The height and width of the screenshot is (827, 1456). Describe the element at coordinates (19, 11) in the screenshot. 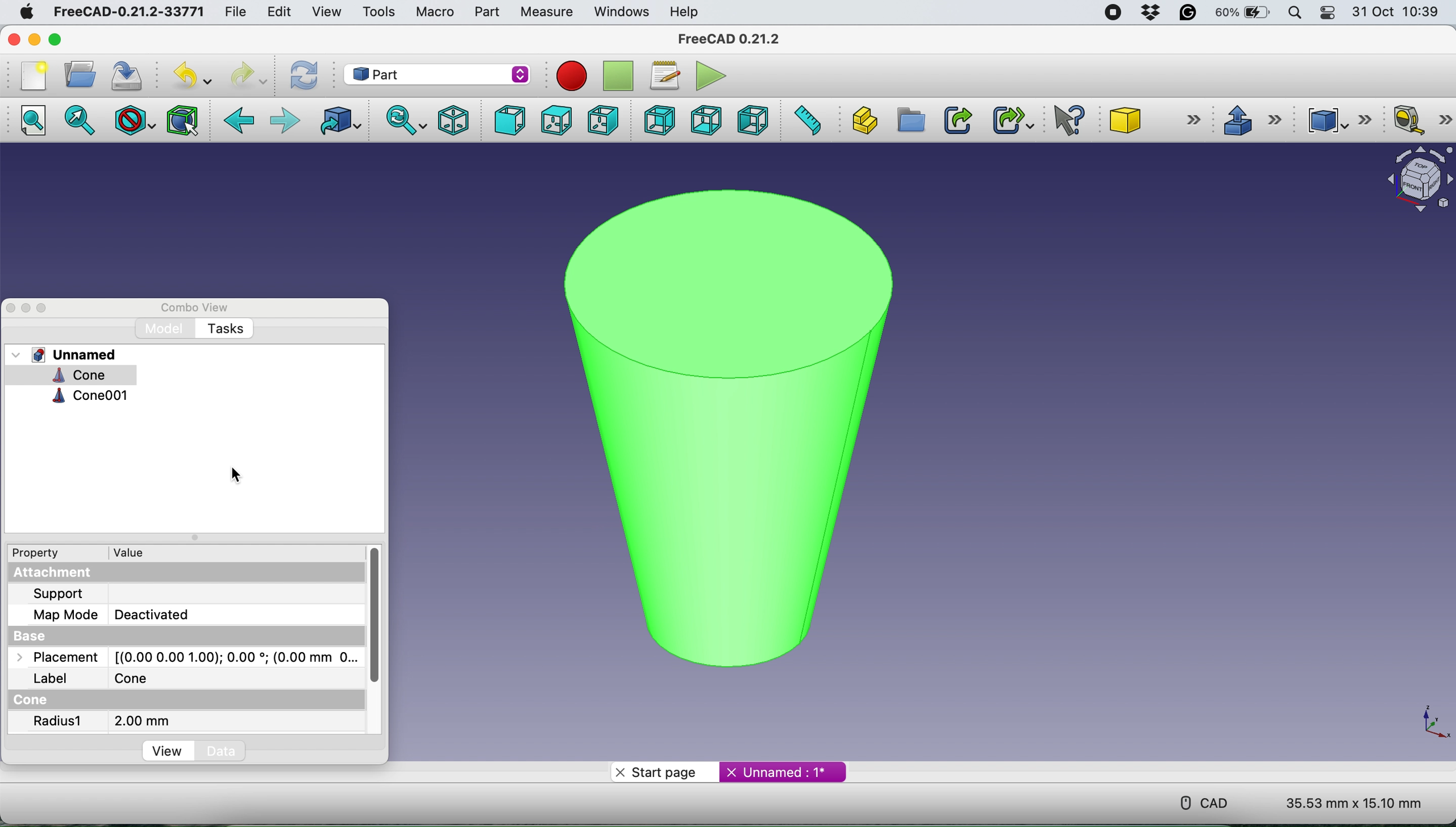

I see `system logo` at that location.